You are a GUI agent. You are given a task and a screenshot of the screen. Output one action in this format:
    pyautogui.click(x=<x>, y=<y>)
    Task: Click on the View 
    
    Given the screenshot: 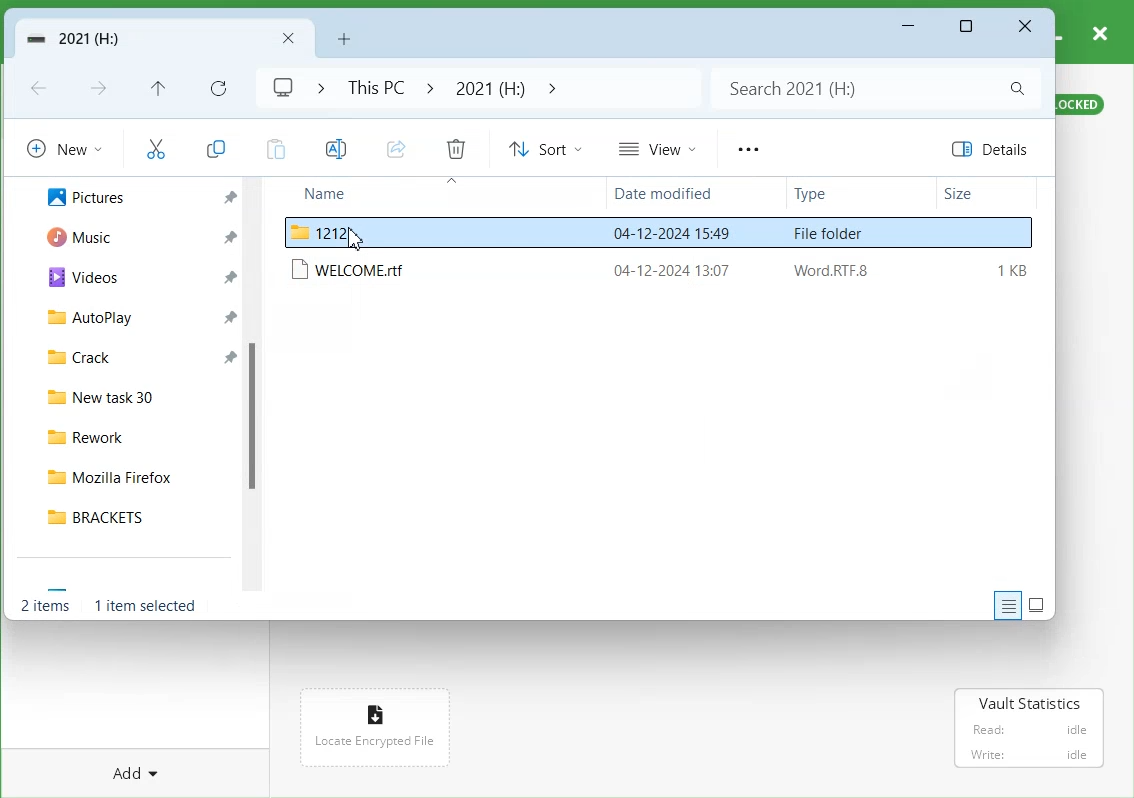 What is the action you would take?
    pyautogui.click(x=656, y=148)
    